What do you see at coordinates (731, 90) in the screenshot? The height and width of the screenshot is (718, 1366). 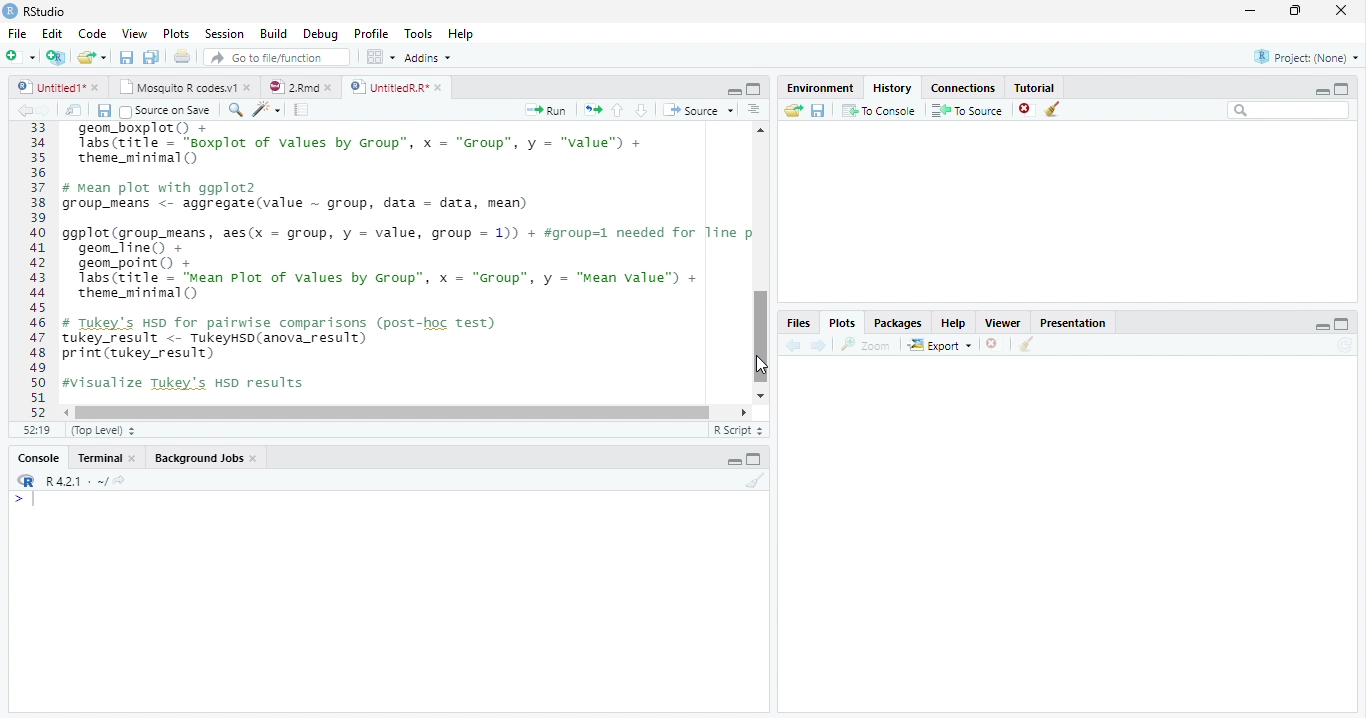 I see `Minimize` at bounding box center [731, 90].